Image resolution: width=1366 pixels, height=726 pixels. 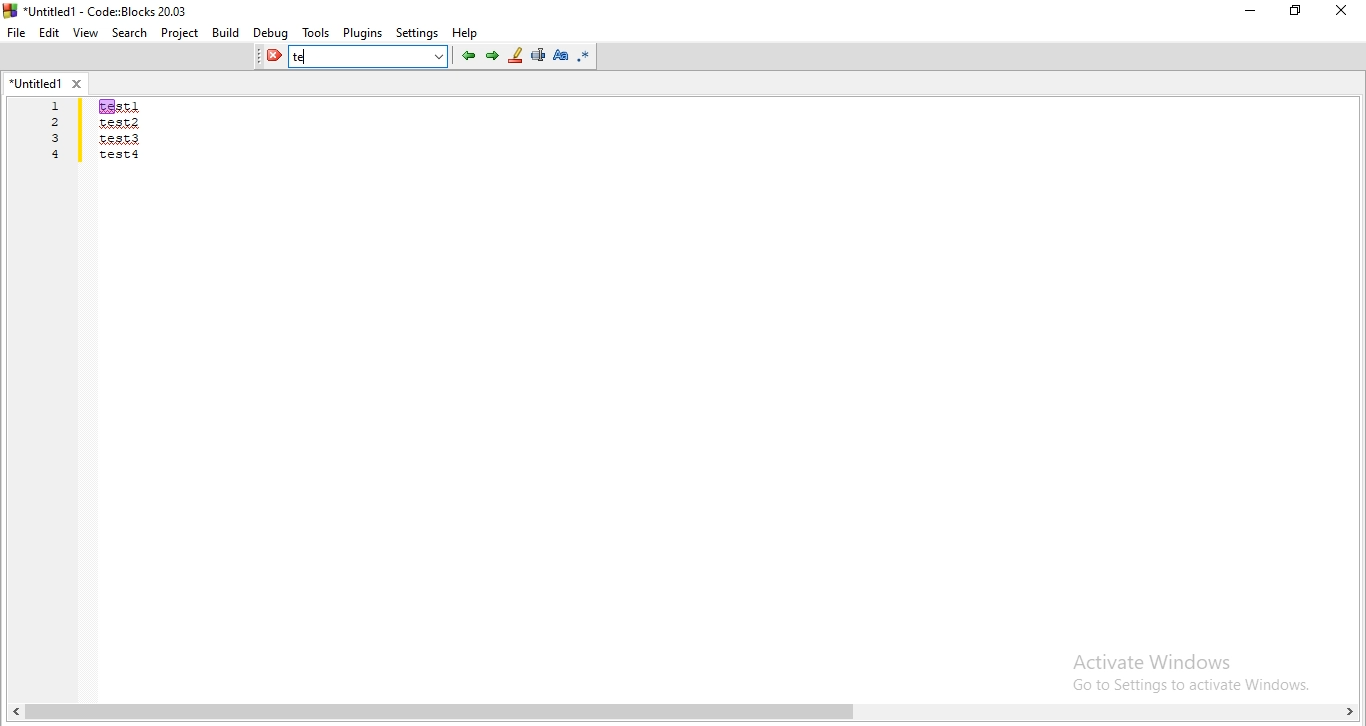 What do you see at coordinates (515, 56) in the screenshot?
I see `highlight` at bounding box center [515, 56].